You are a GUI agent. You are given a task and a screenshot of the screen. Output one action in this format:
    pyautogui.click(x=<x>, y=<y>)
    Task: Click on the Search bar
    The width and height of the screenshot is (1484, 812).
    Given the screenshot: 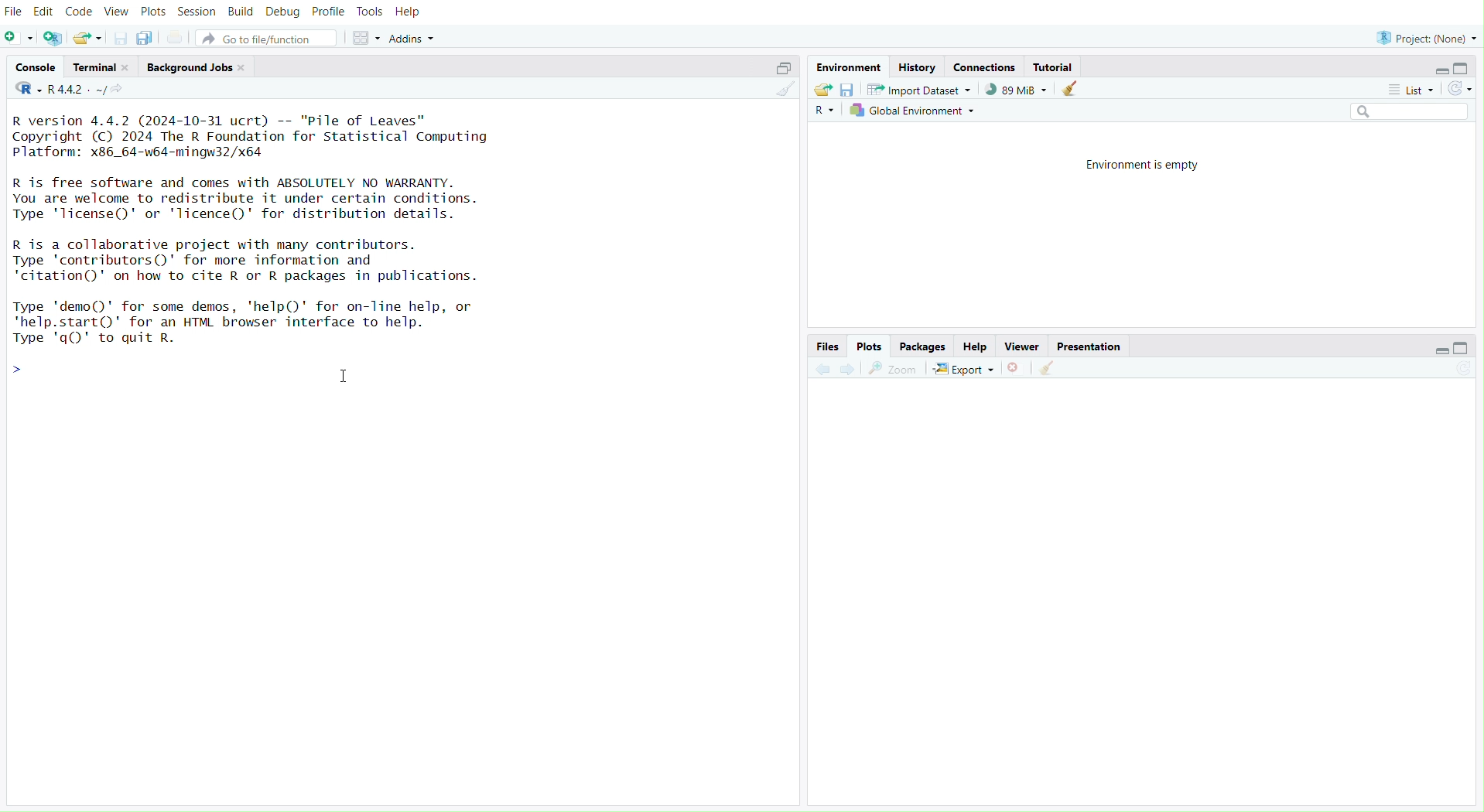 What is the action you would take?
    pyautogui.click(x=1409, y=108)
    